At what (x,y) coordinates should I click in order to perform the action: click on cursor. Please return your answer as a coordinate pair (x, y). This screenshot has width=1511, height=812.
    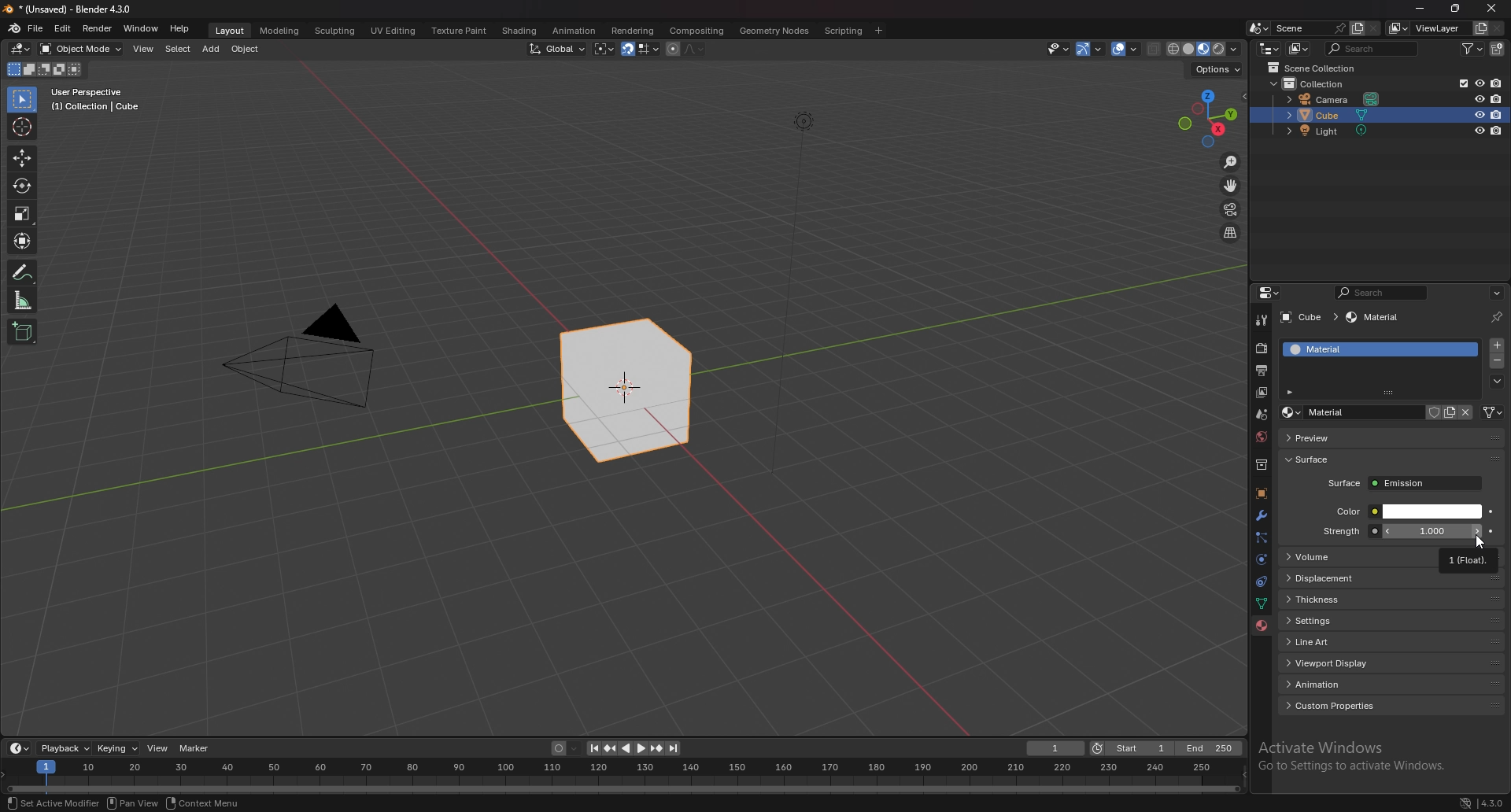
    Looking at the image, I should click on (1481, 542).